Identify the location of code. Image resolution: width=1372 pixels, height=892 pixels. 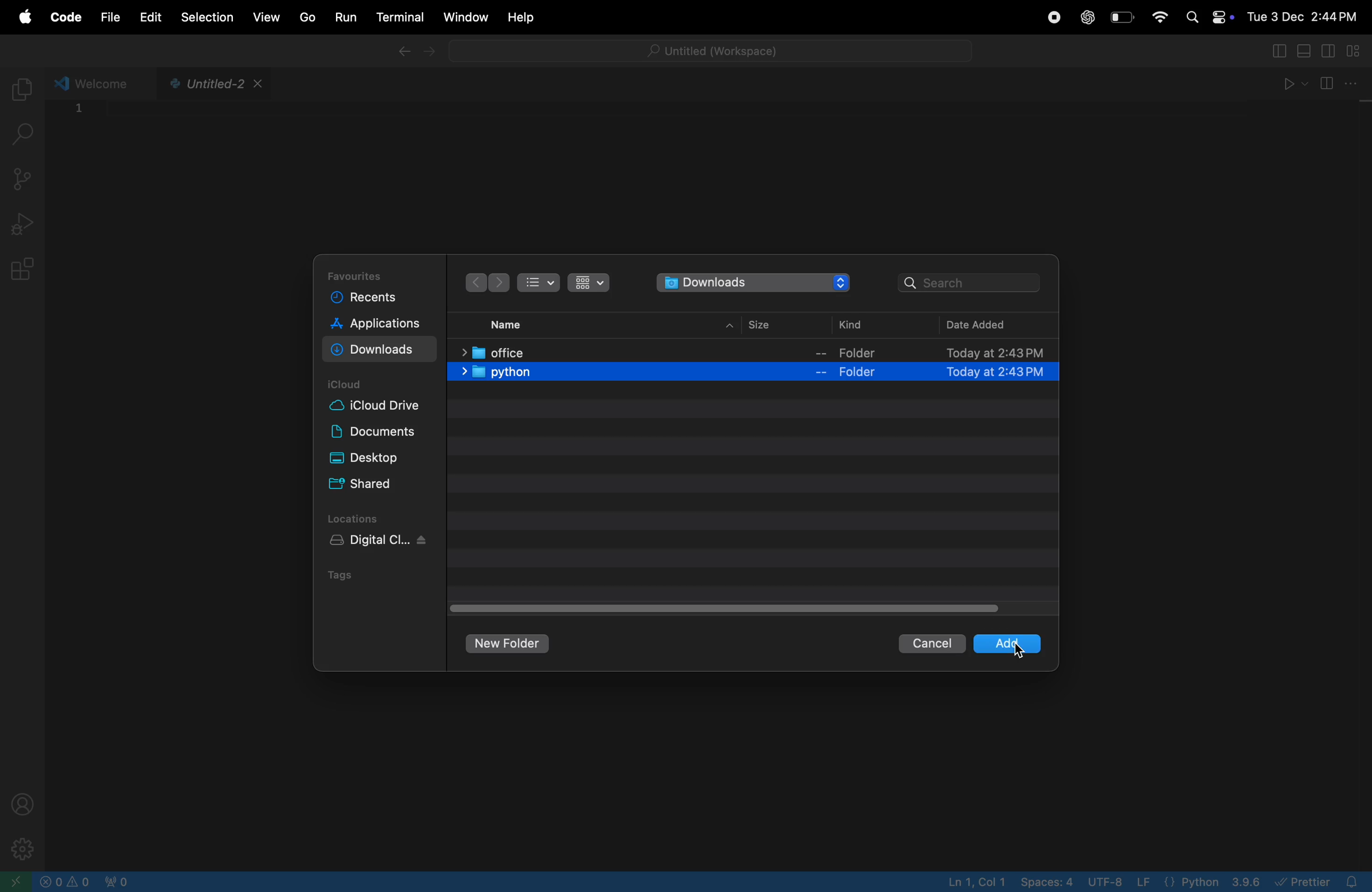
(67, 16).